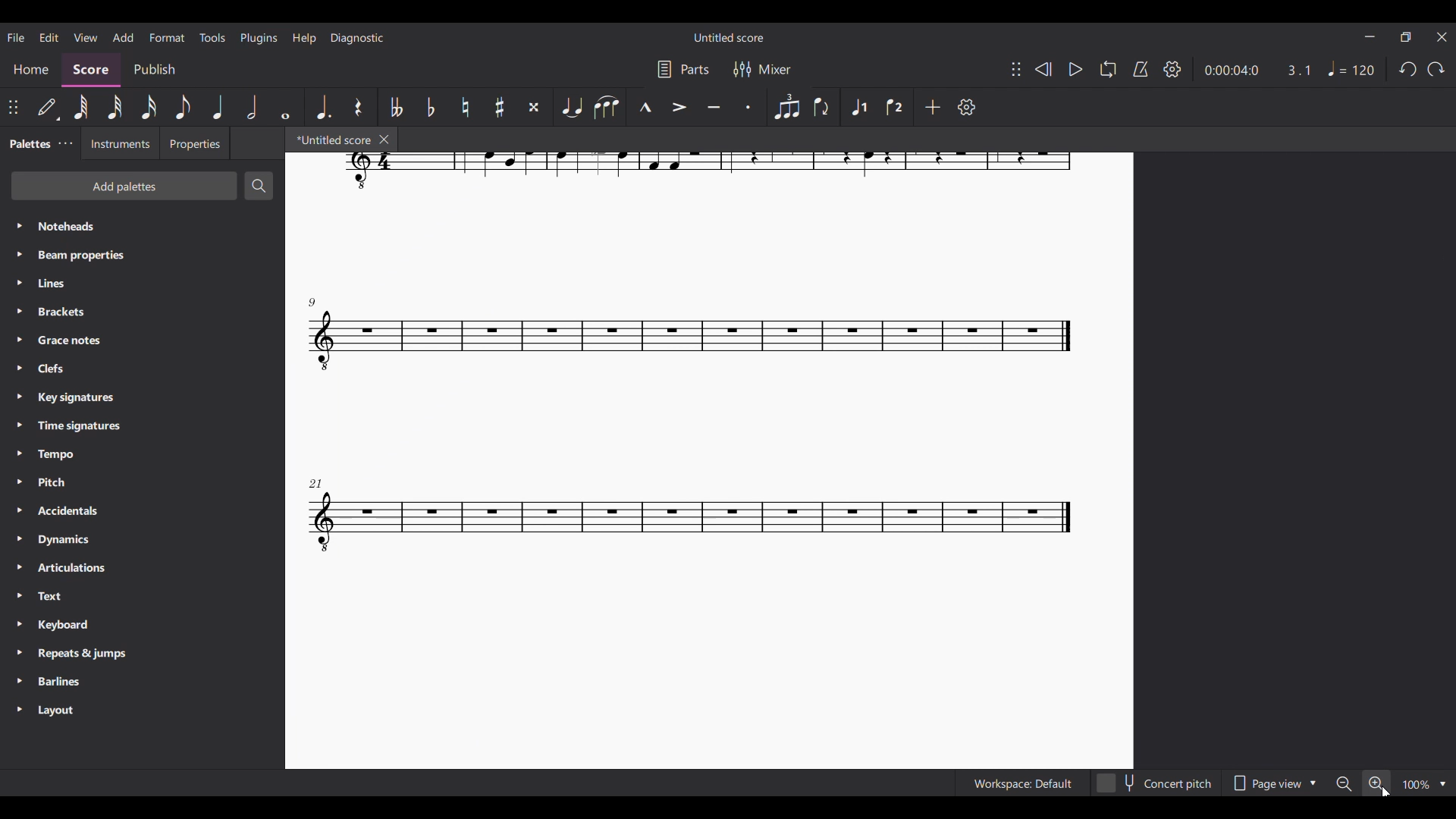 The image size is (1456, 819). What do you see at coordinates (142, 625) in the screenshot?
I see `Keyboard` at bounding box center [142, 625].